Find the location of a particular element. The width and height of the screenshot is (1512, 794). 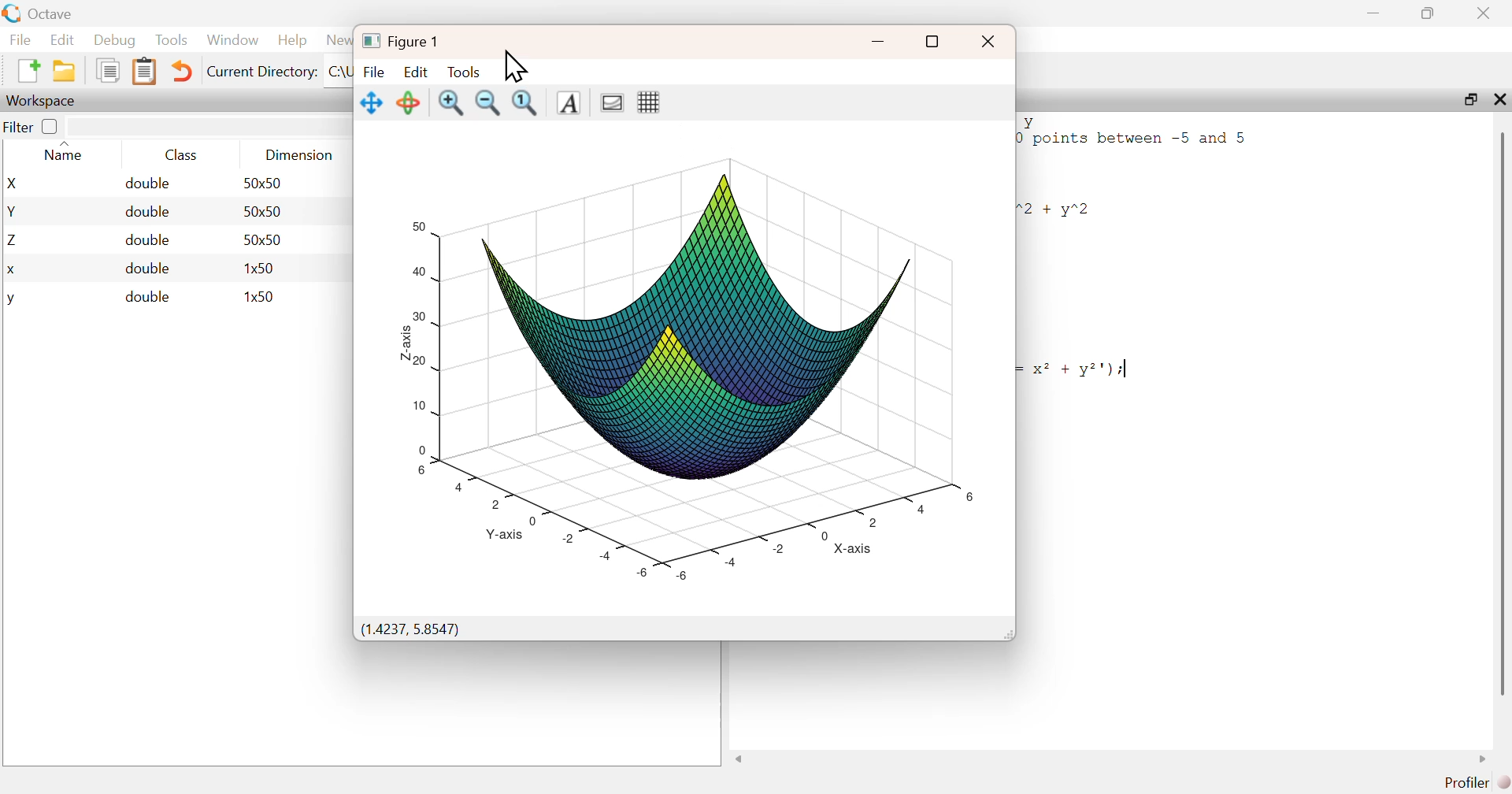

double is located at coordinates (150, 239).